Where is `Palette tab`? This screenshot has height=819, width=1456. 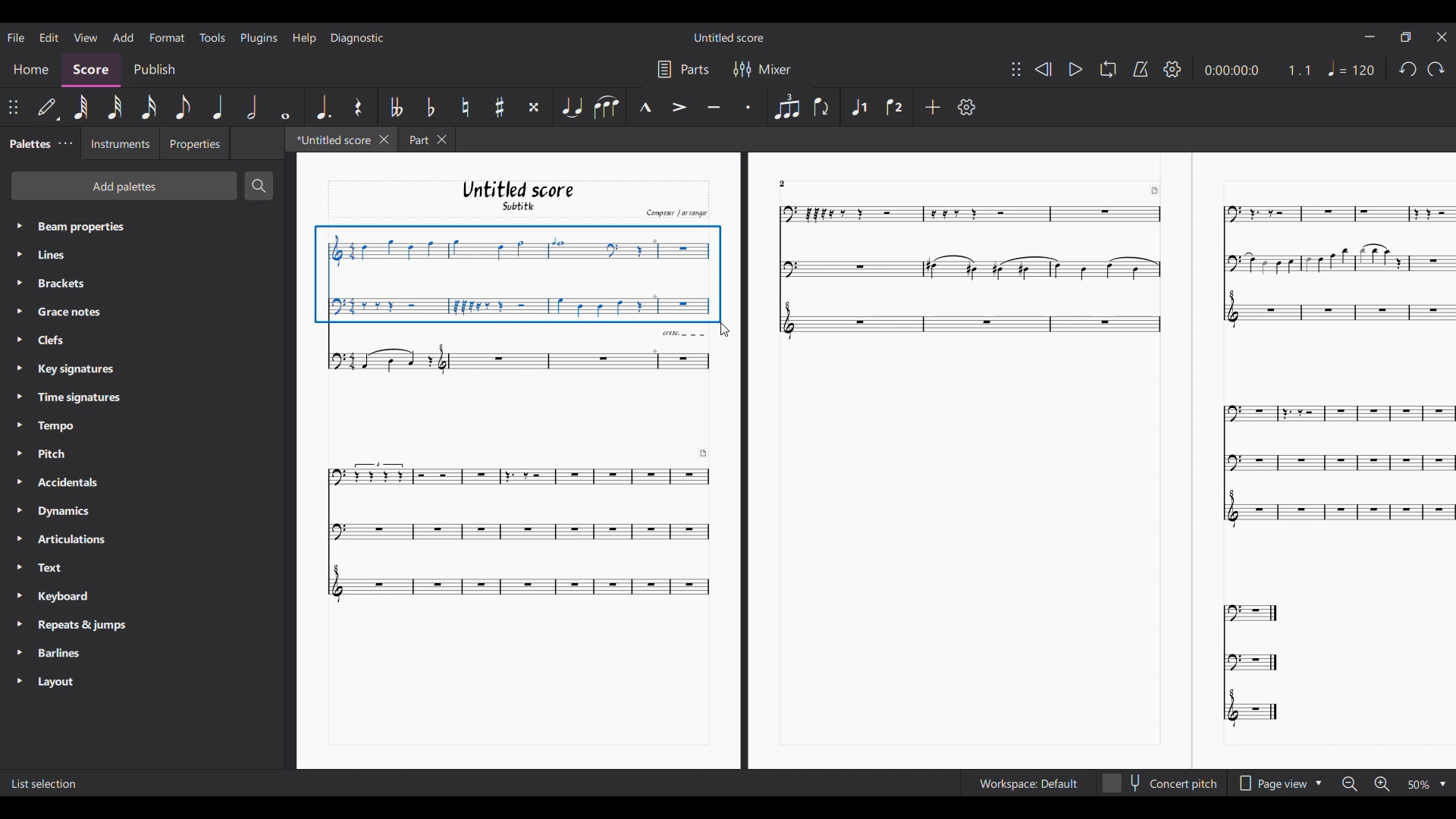 Palette tab is located at coordinates (29, 143).